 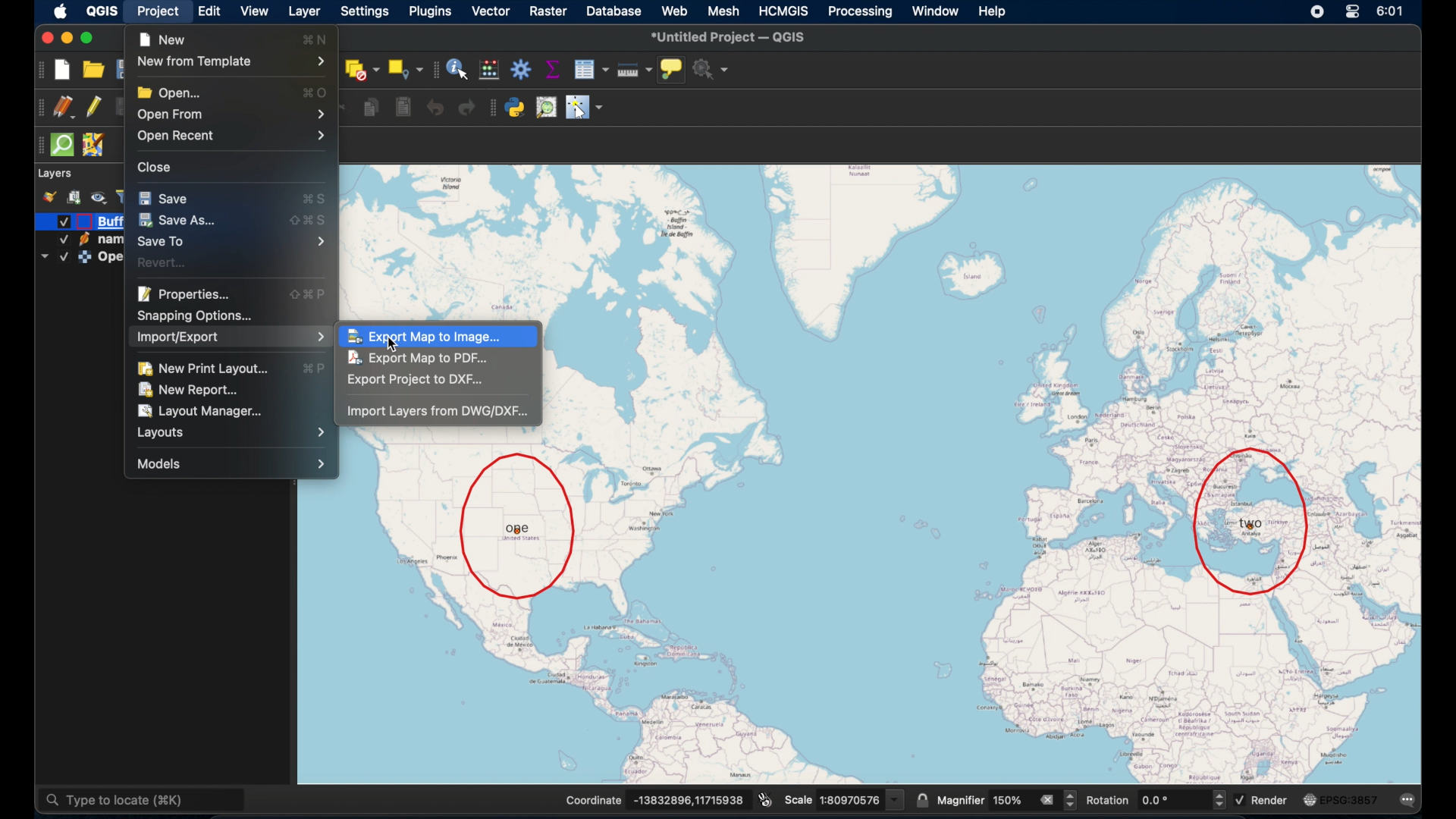 I want to click on Increase and decrease magnifier value, so click(x=1071, y=800).